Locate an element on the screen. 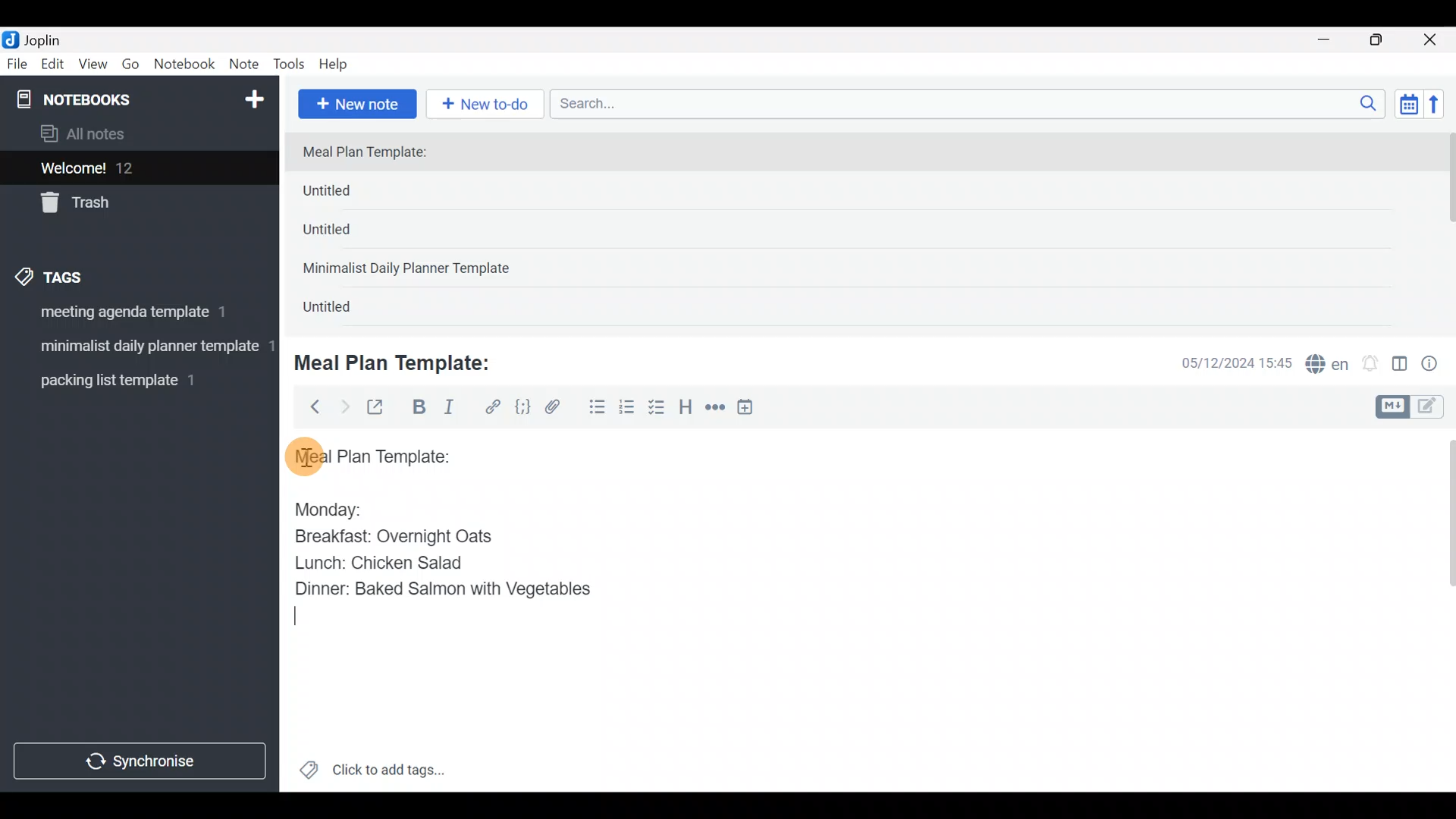 This screenshot has height=819, width=1456. Monday: is located at coordinates (318, 507).